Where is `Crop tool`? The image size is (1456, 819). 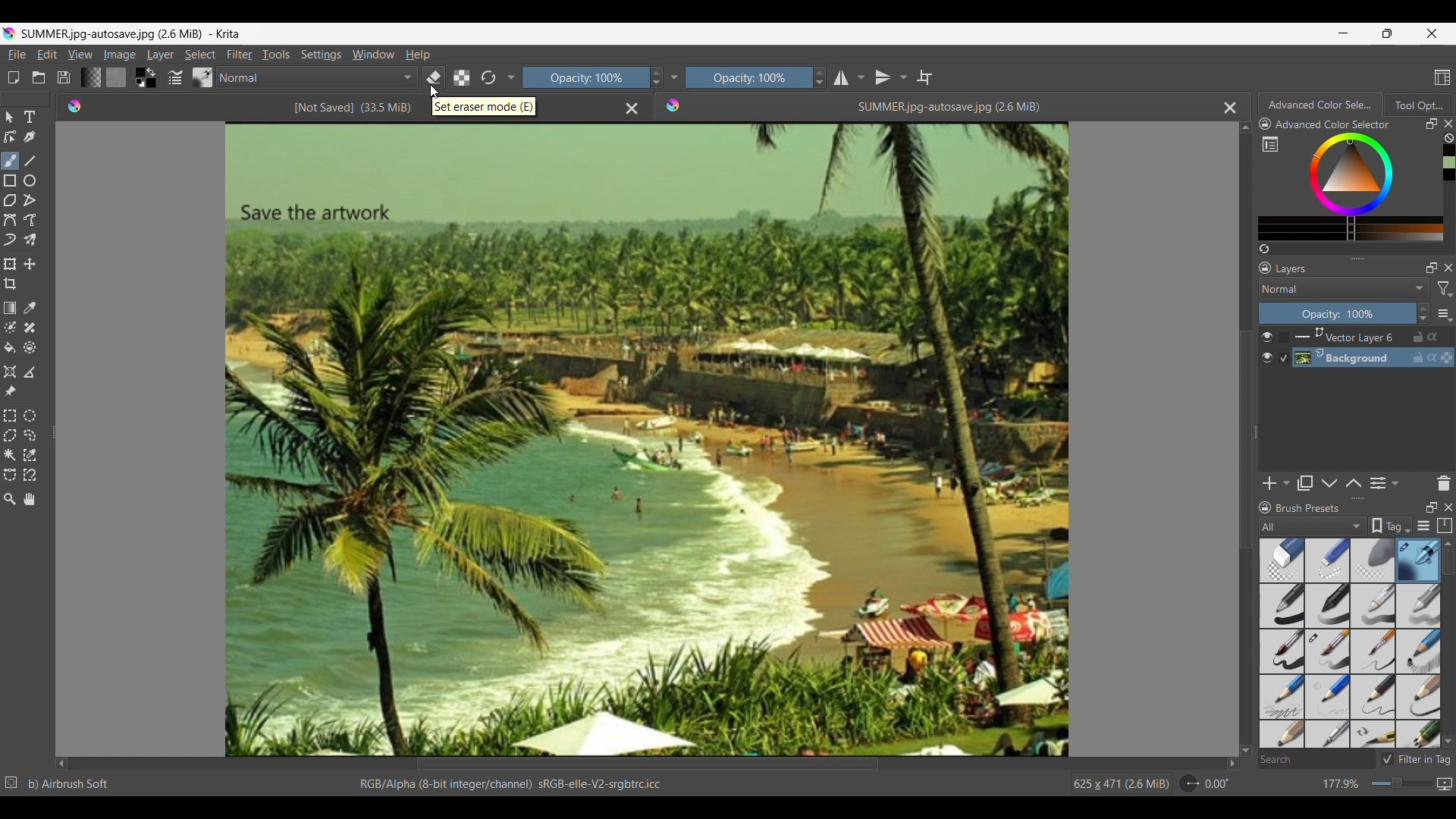 Crop tool is located at coordinates (11, 284).